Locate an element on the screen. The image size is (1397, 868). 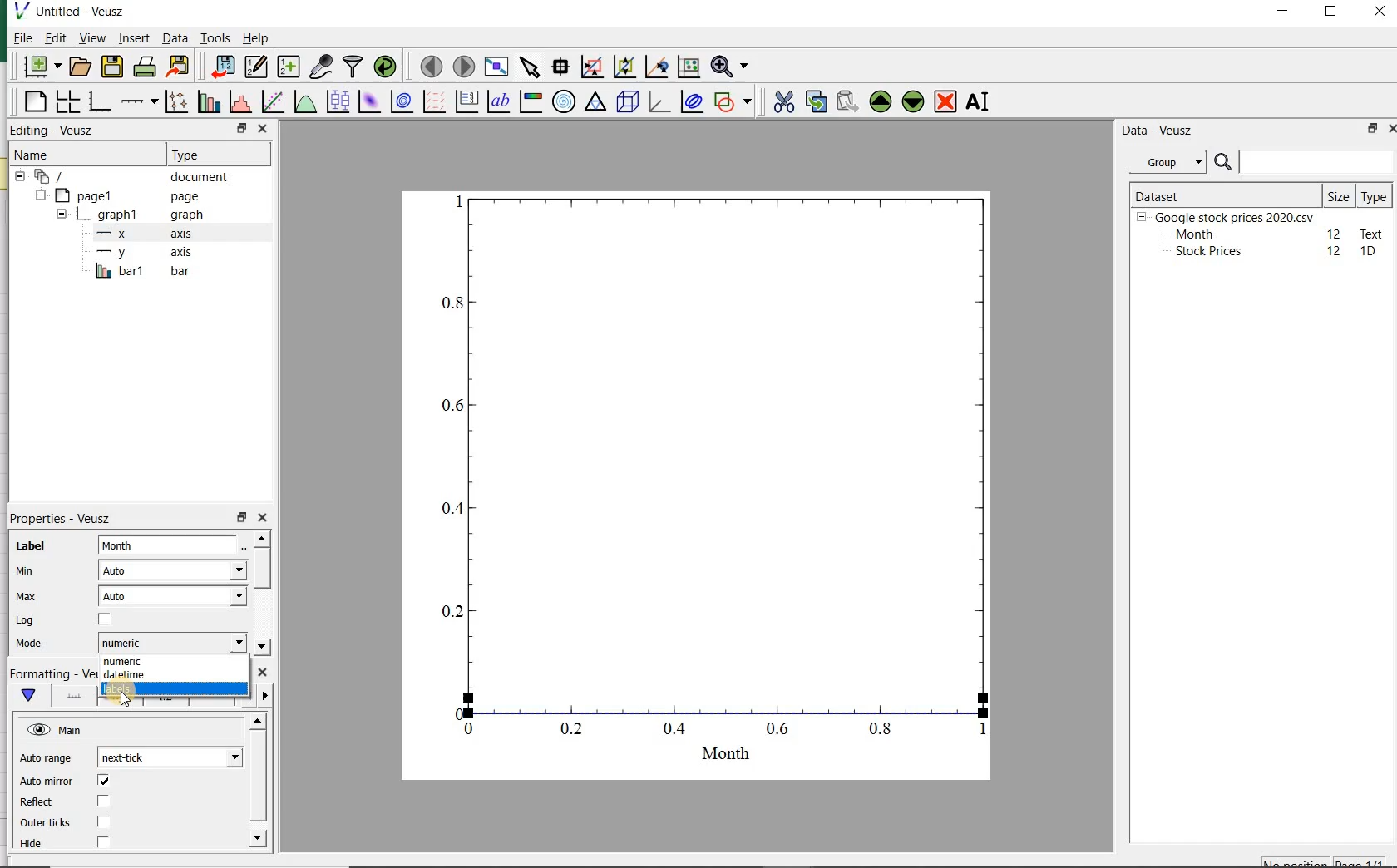
Mode is located at coordinates (26, 644).